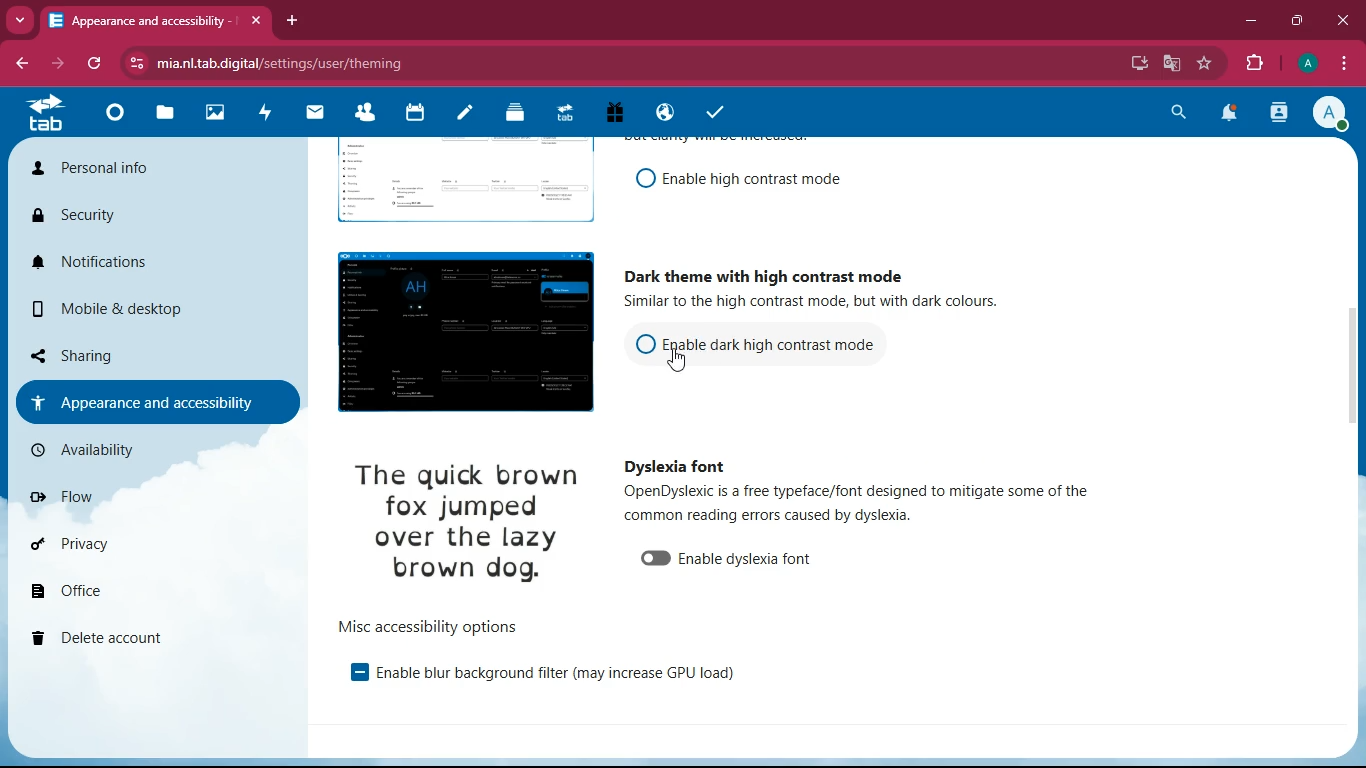 The image size is (1366, 768). What do you see at coordinates (682, 363) in the screenshot?
I see `cursor` at bounding box center [682, 363].